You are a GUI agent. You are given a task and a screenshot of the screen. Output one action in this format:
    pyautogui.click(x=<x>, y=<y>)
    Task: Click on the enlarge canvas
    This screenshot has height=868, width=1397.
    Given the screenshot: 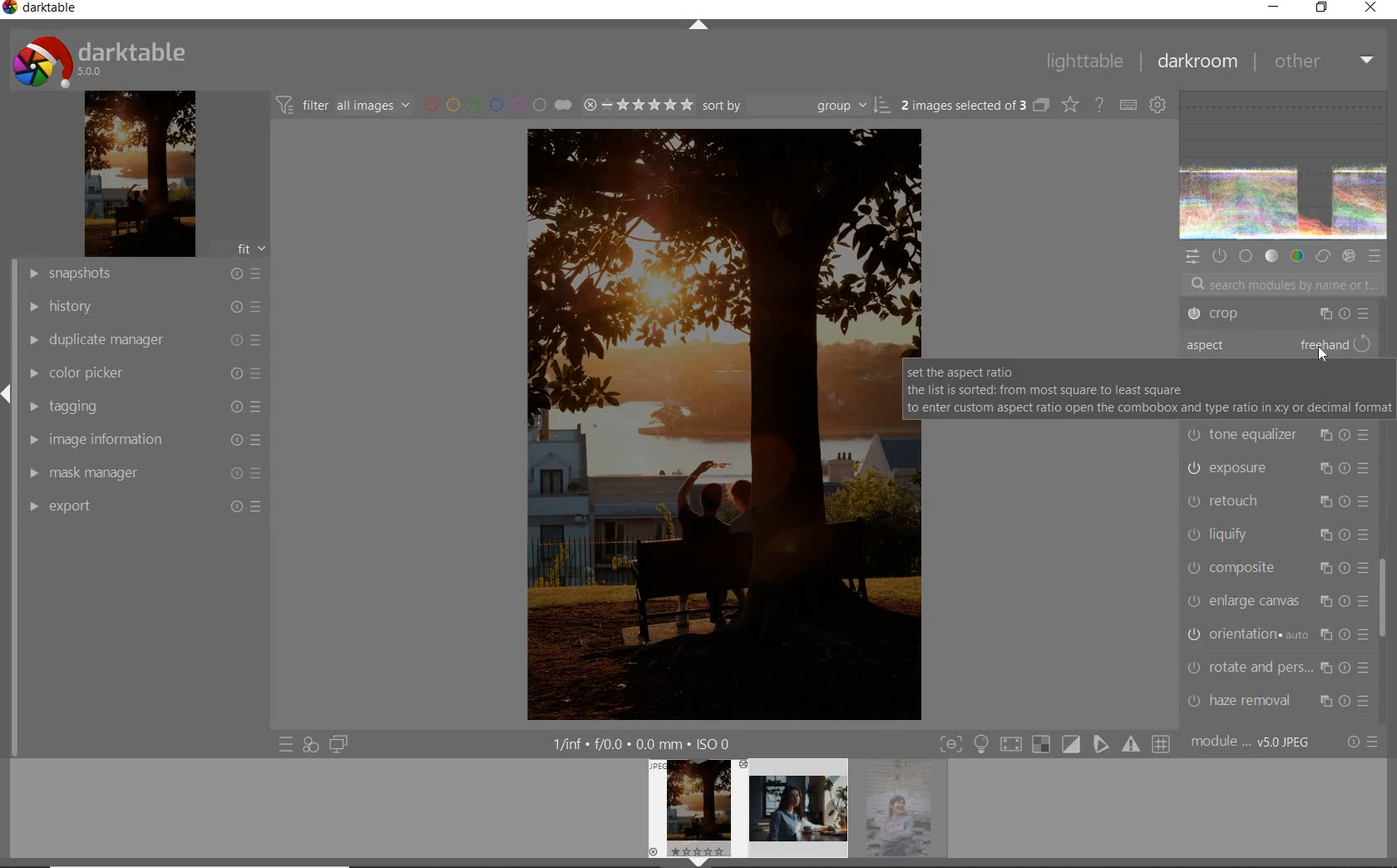 What is the action you would take?
    pyautogui.click(x=1276, y=599)
    